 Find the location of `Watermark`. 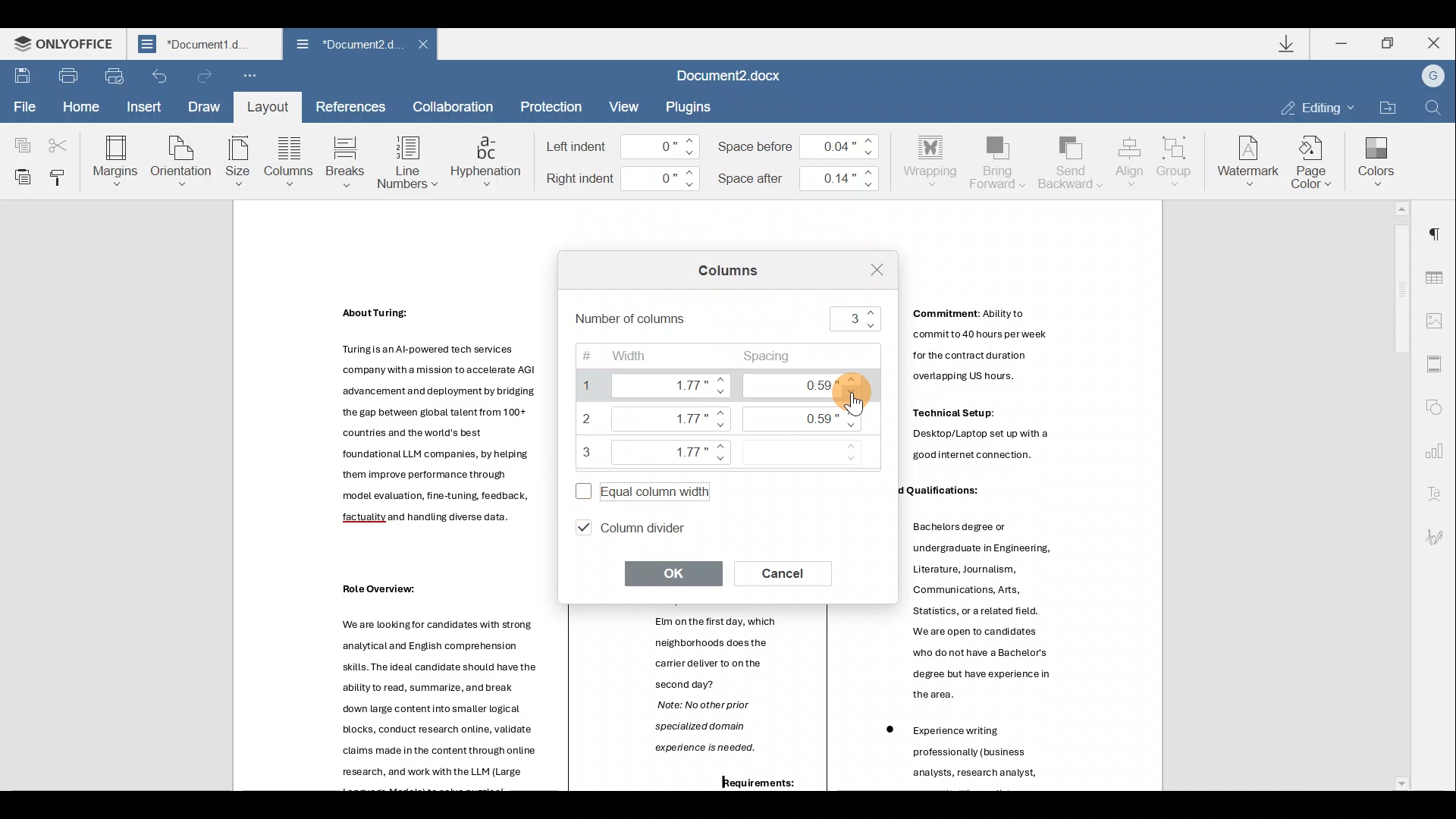

Watermark is located at coordinates (1245, 159).